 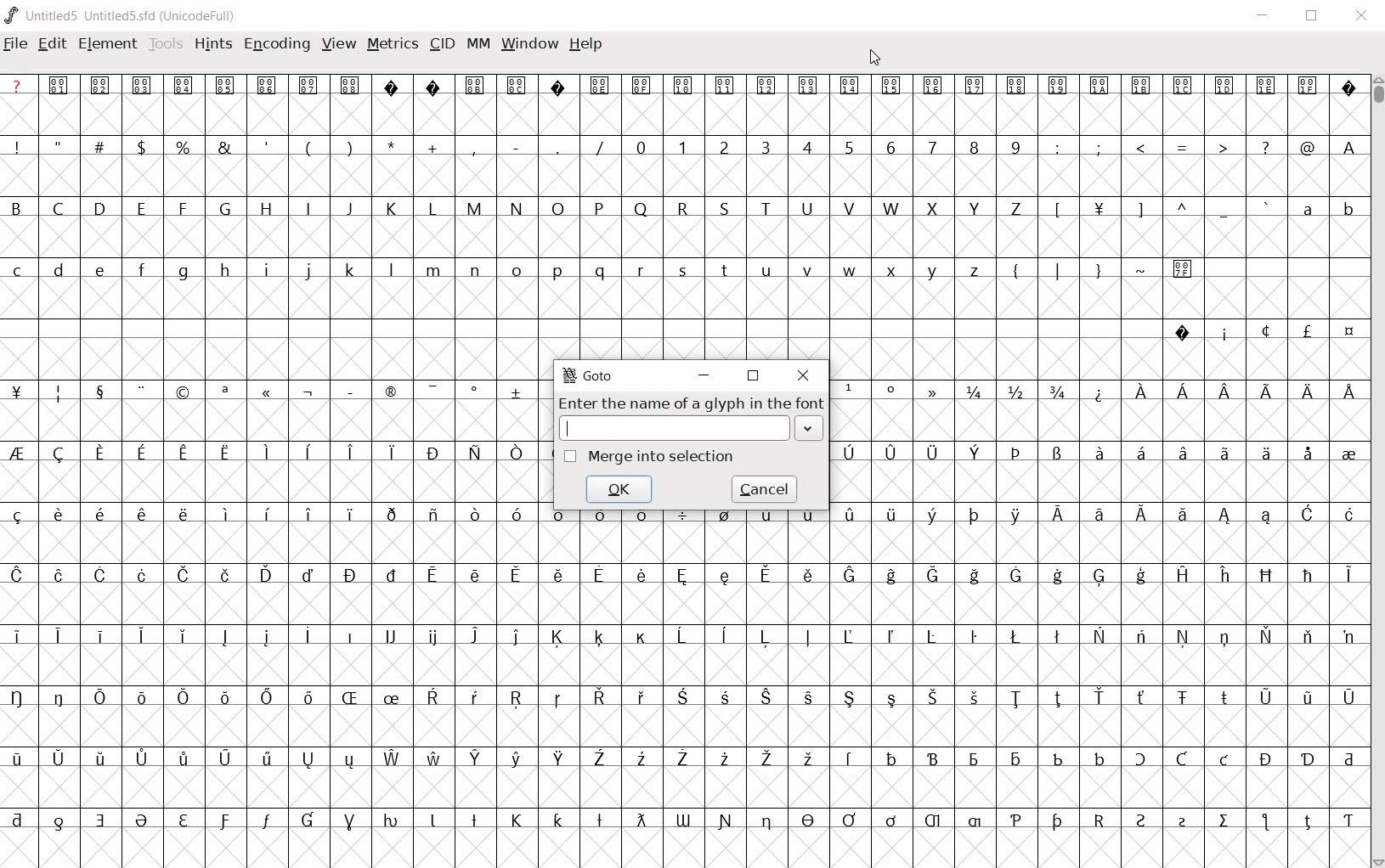 What do you see at coordinates (475, 392) in the screenshot?
I see `Symbol` at bounding box center [475, 392].